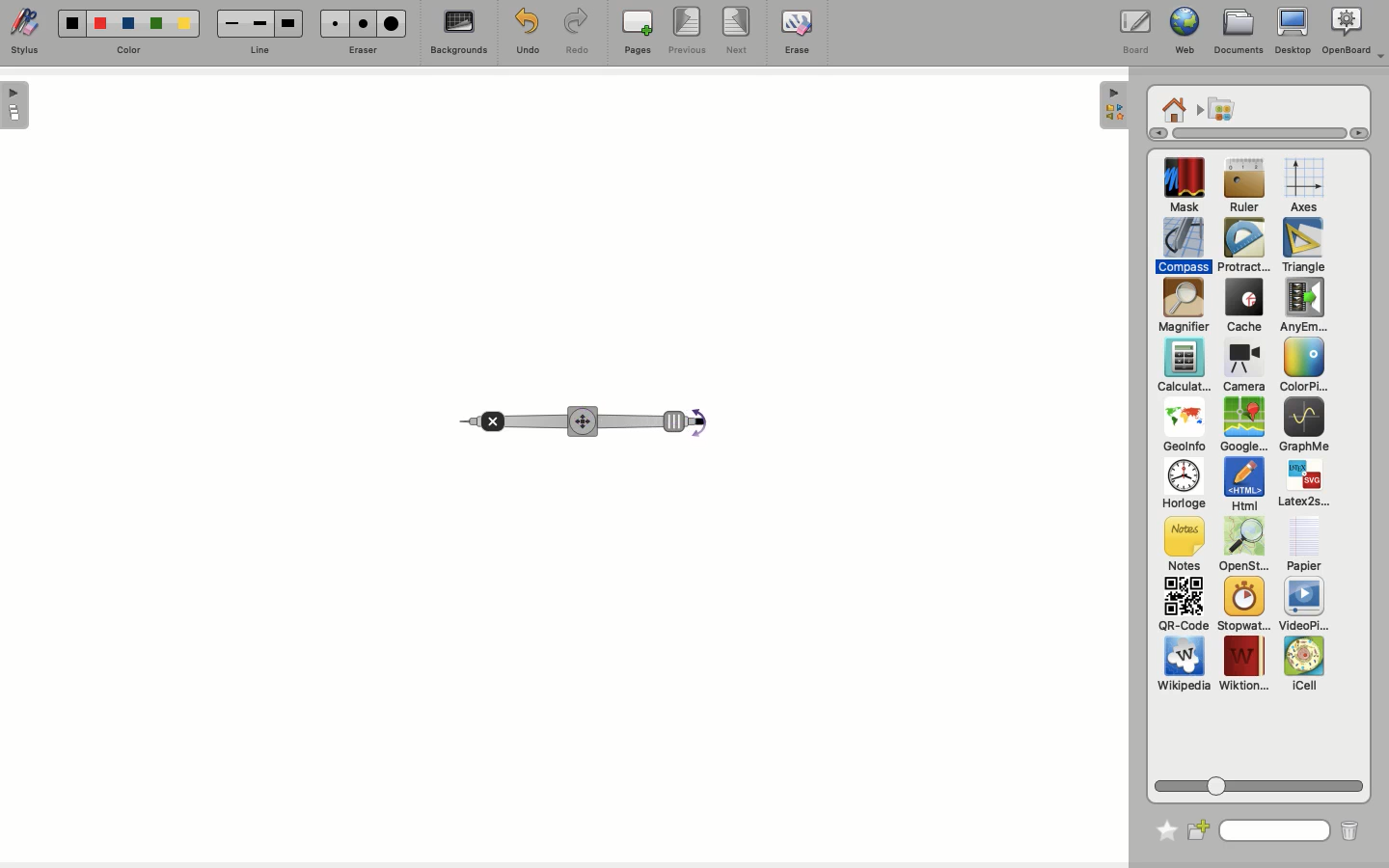 The height and width of the screenshot is (868, 1389). I want to click on color2, so click(97, 22).